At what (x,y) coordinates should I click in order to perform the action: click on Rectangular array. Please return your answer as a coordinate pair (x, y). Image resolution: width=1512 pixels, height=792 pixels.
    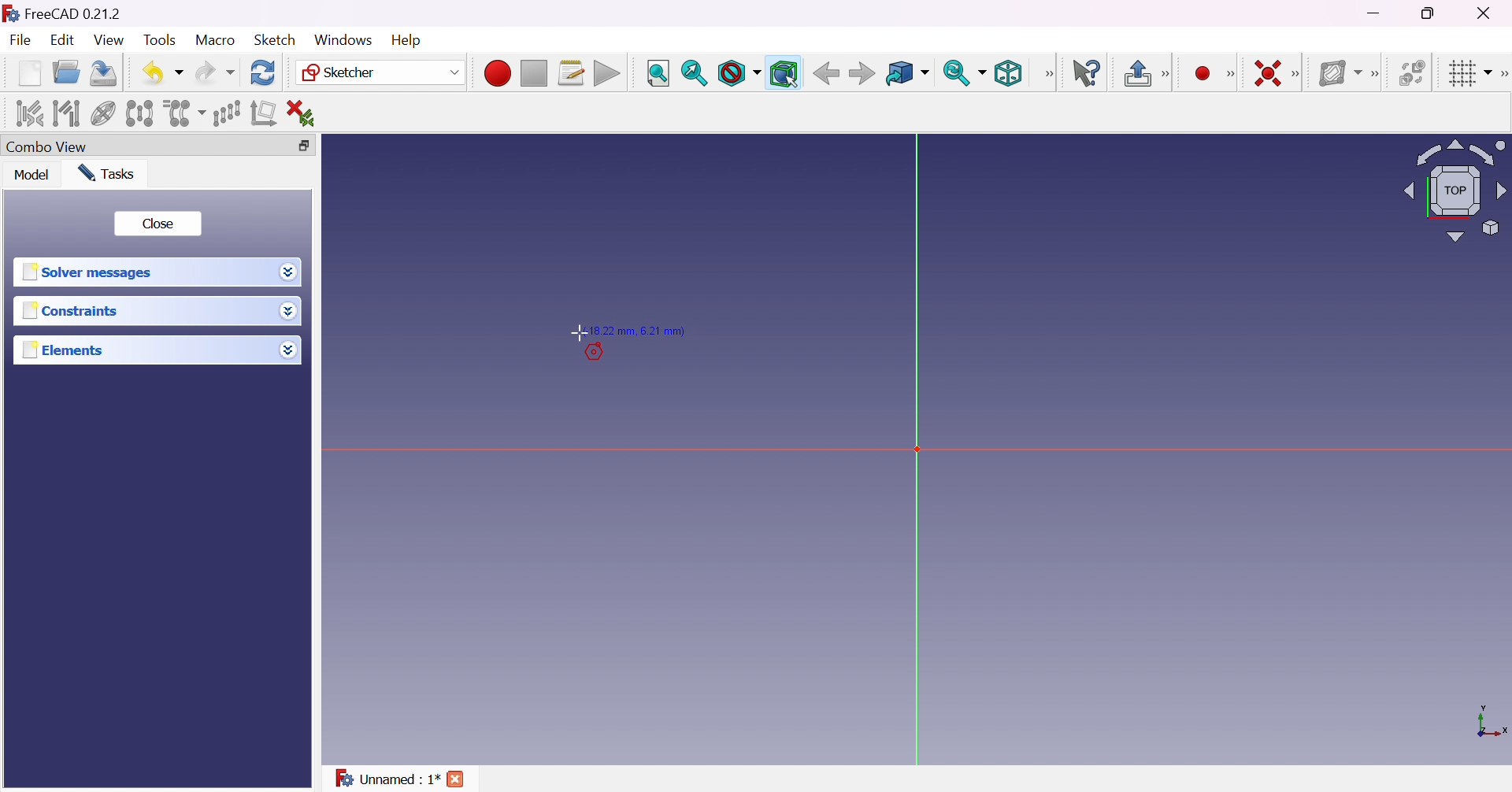
    Looking at the image, I should click on (227, 113).